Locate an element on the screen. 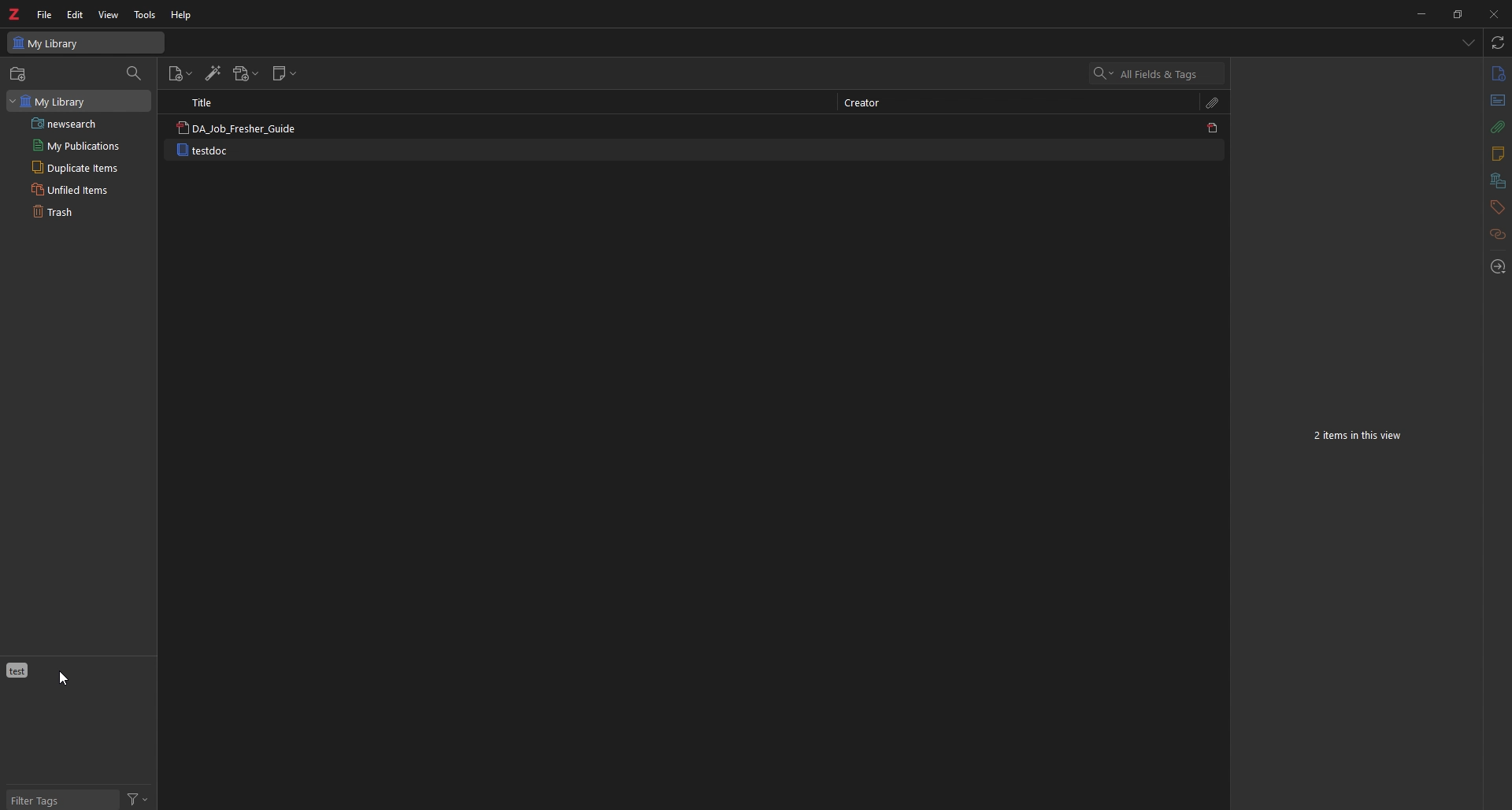  filter is located at coordinates (139, 800).